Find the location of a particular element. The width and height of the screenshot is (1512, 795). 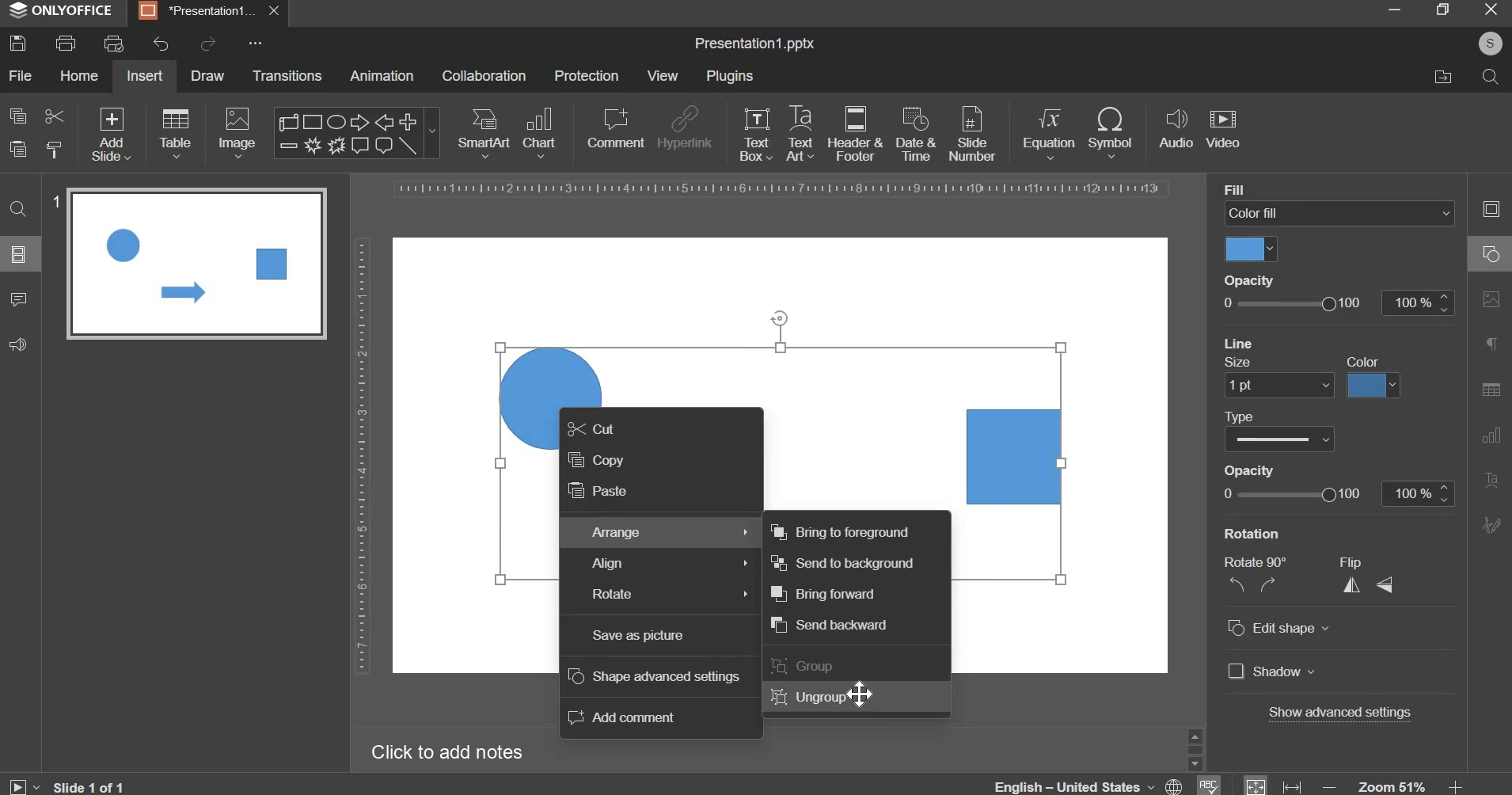

signature  is located at coordinates (1491, 524).